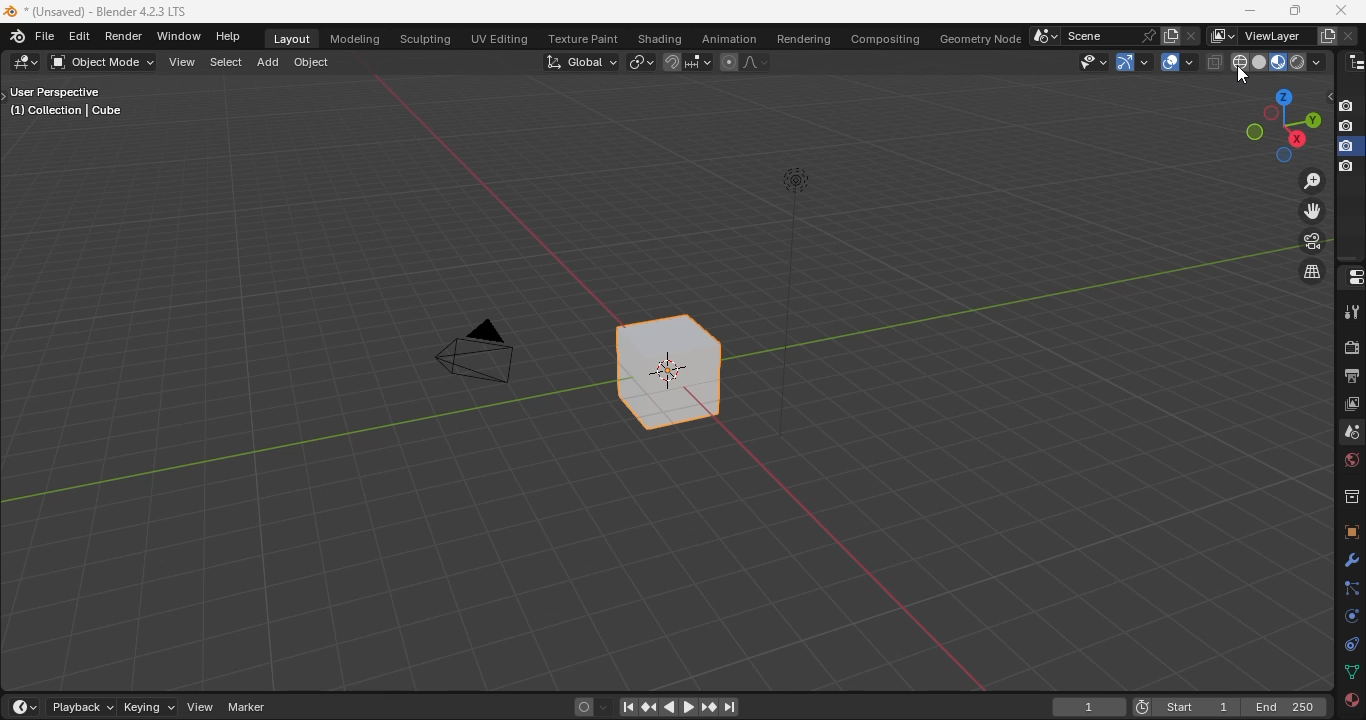 The image size is (1366, 720). What do you see at coordinates (1311, 211) in the screenshot?
I see `move the view` at bounding box center [1311, 211].